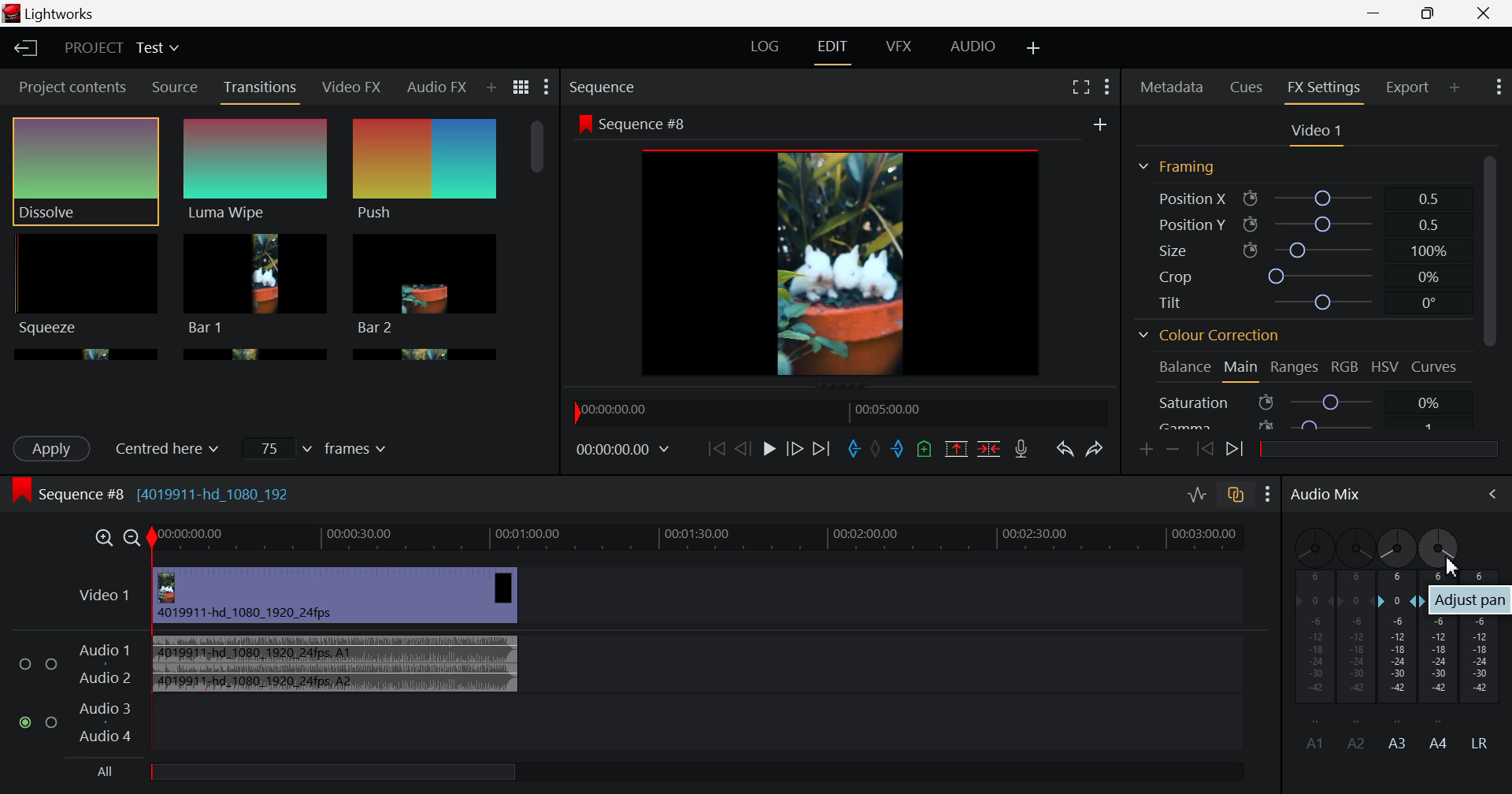 The height and width of the screenshot is (794, 1512). Describe the element at coordinates (822, 451) in the screenshot. I see `To End` at that location.